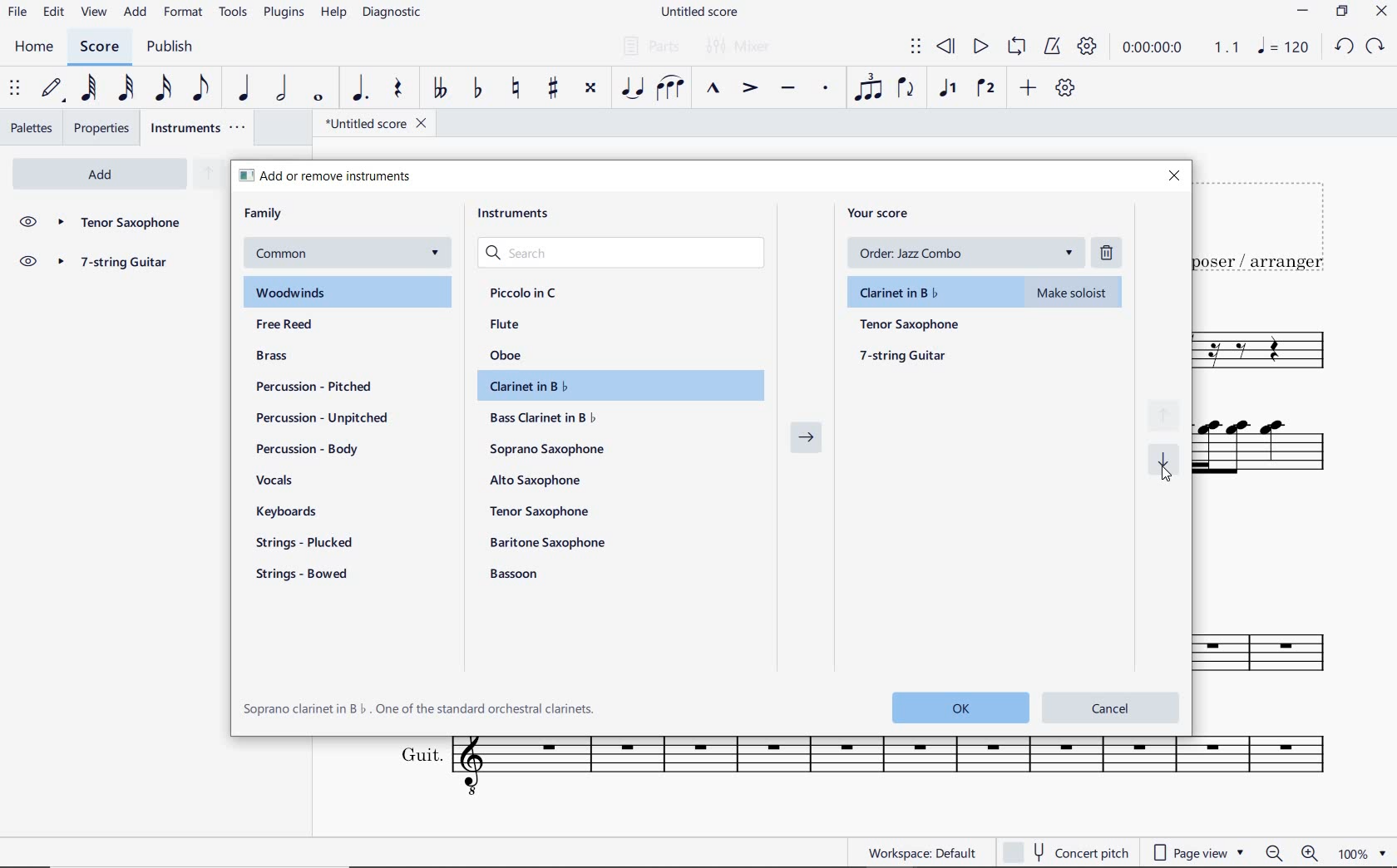 The height and width of the screenshot is (868, 1397). I want to click on ADD, so click(136, 13).